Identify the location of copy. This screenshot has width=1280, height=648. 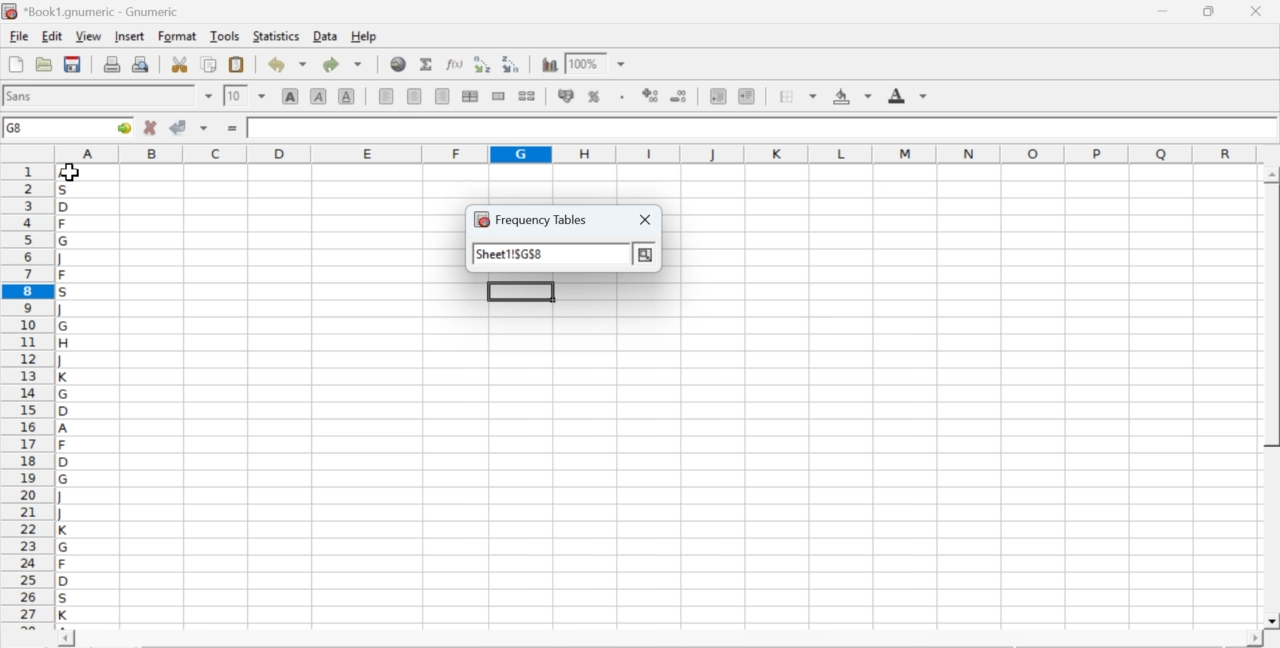
(210, 64).